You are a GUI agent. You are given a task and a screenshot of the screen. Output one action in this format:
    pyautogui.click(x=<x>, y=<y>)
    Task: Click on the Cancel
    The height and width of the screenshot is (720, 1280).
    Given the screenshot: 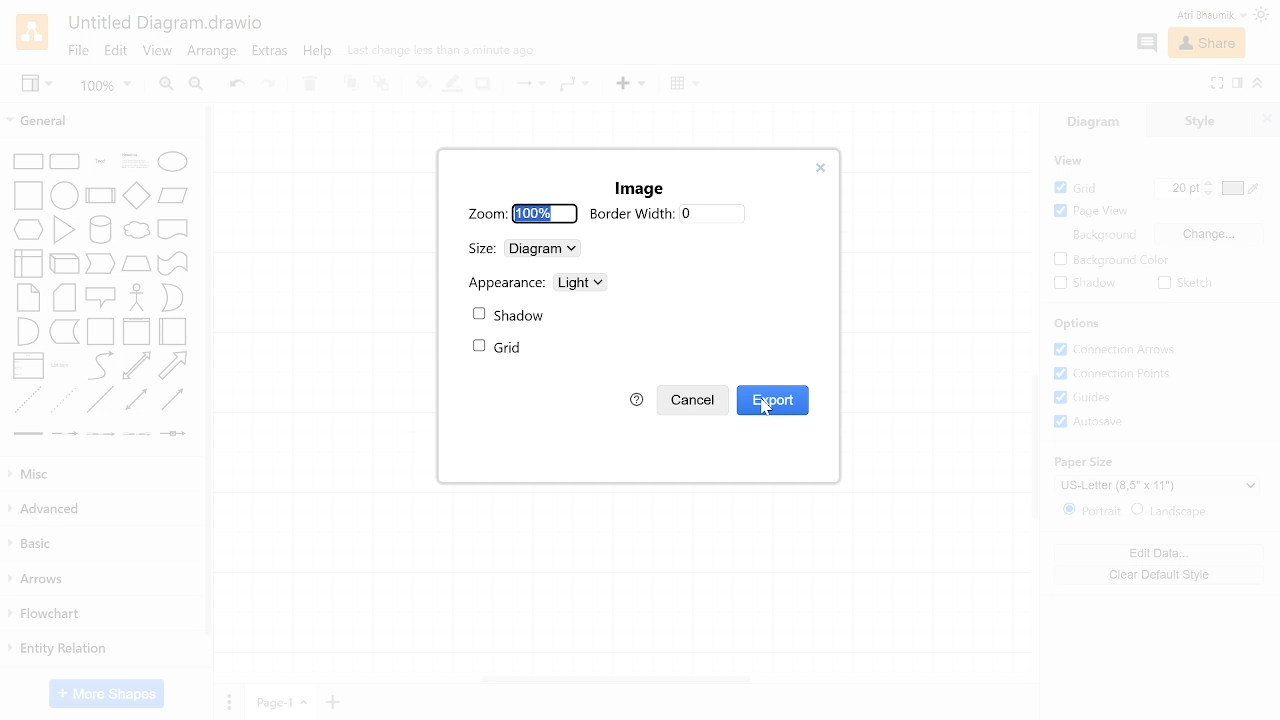 What is the action you would take?
    pyautogui.click(x=693, y=400)
    